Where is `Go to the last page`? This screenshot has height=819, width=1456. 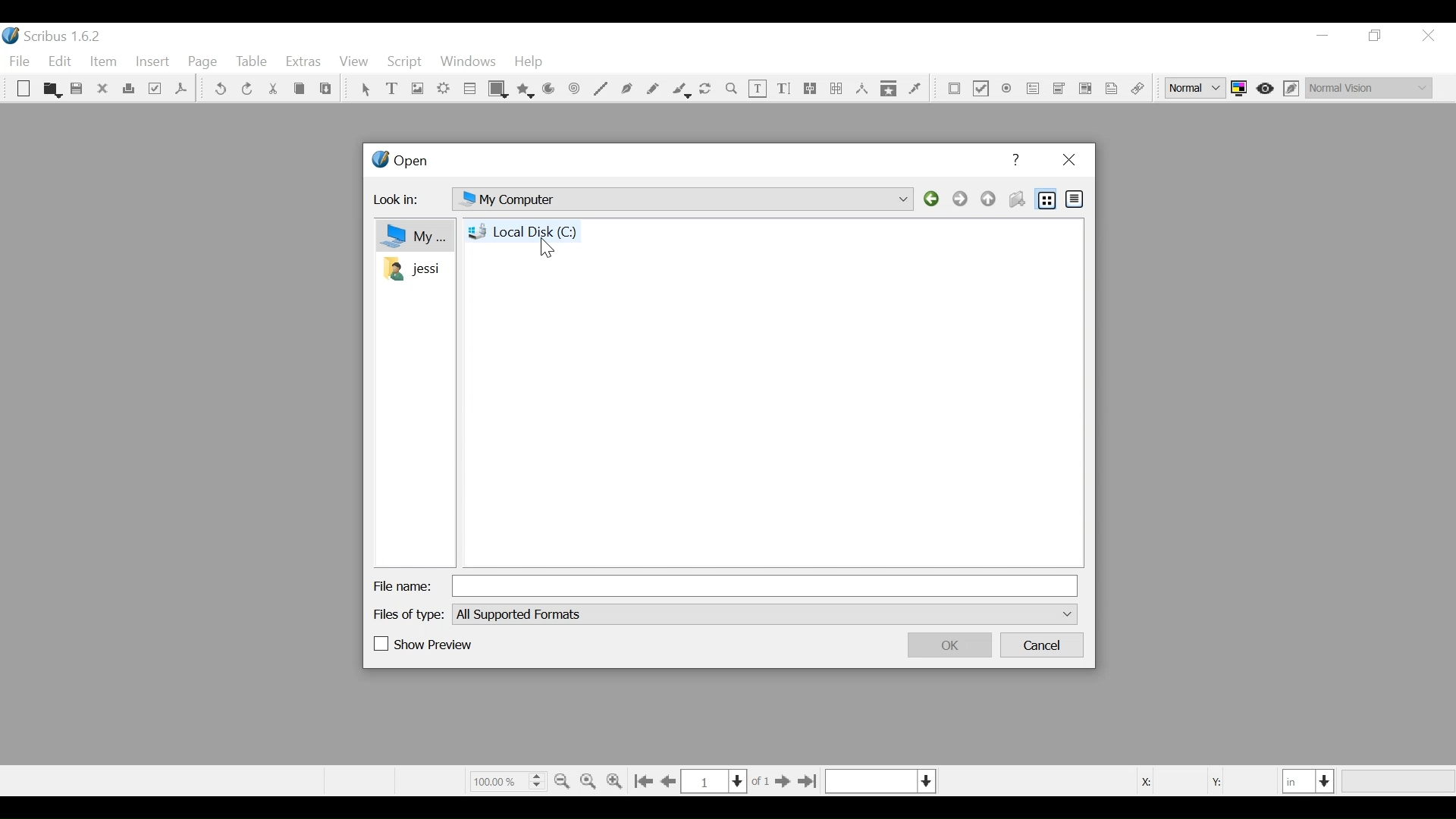 Go to the last page is located at coordinates (807, 782).